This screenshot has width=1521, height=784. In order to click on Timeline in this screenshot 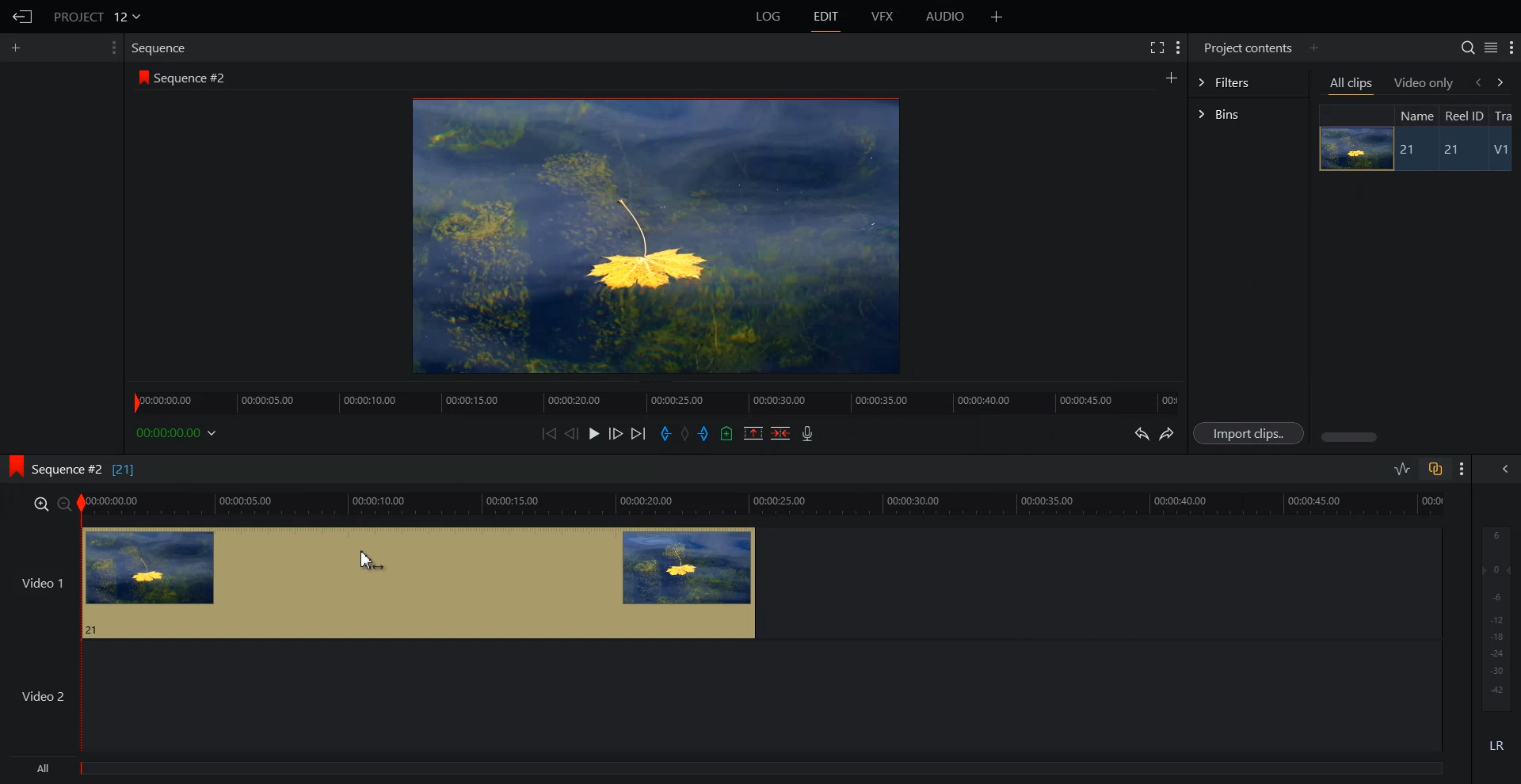, I will do `click(655, 398)`.